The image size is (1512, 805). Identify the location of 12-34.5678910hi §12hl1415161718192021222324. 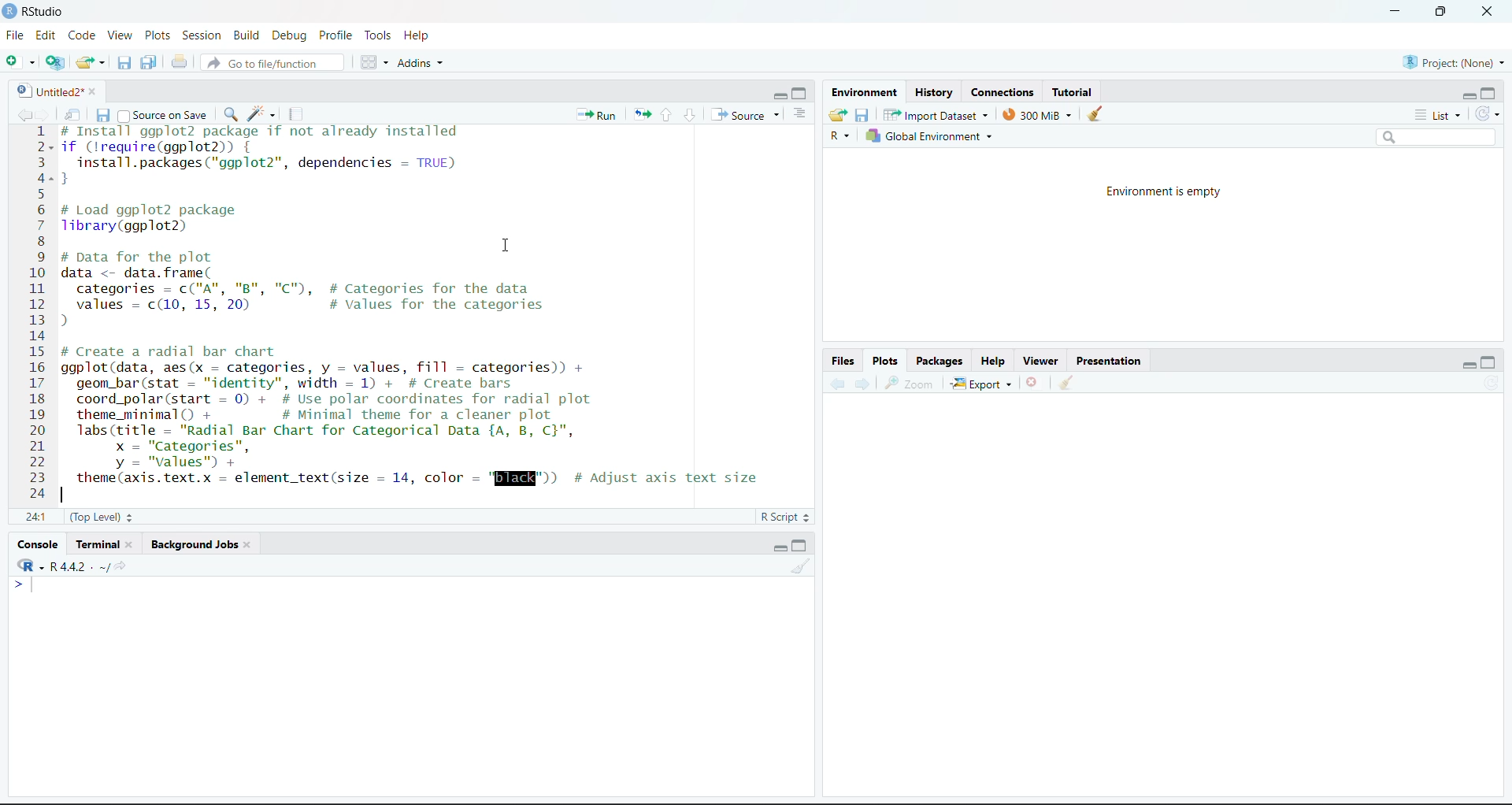
(37, 314).